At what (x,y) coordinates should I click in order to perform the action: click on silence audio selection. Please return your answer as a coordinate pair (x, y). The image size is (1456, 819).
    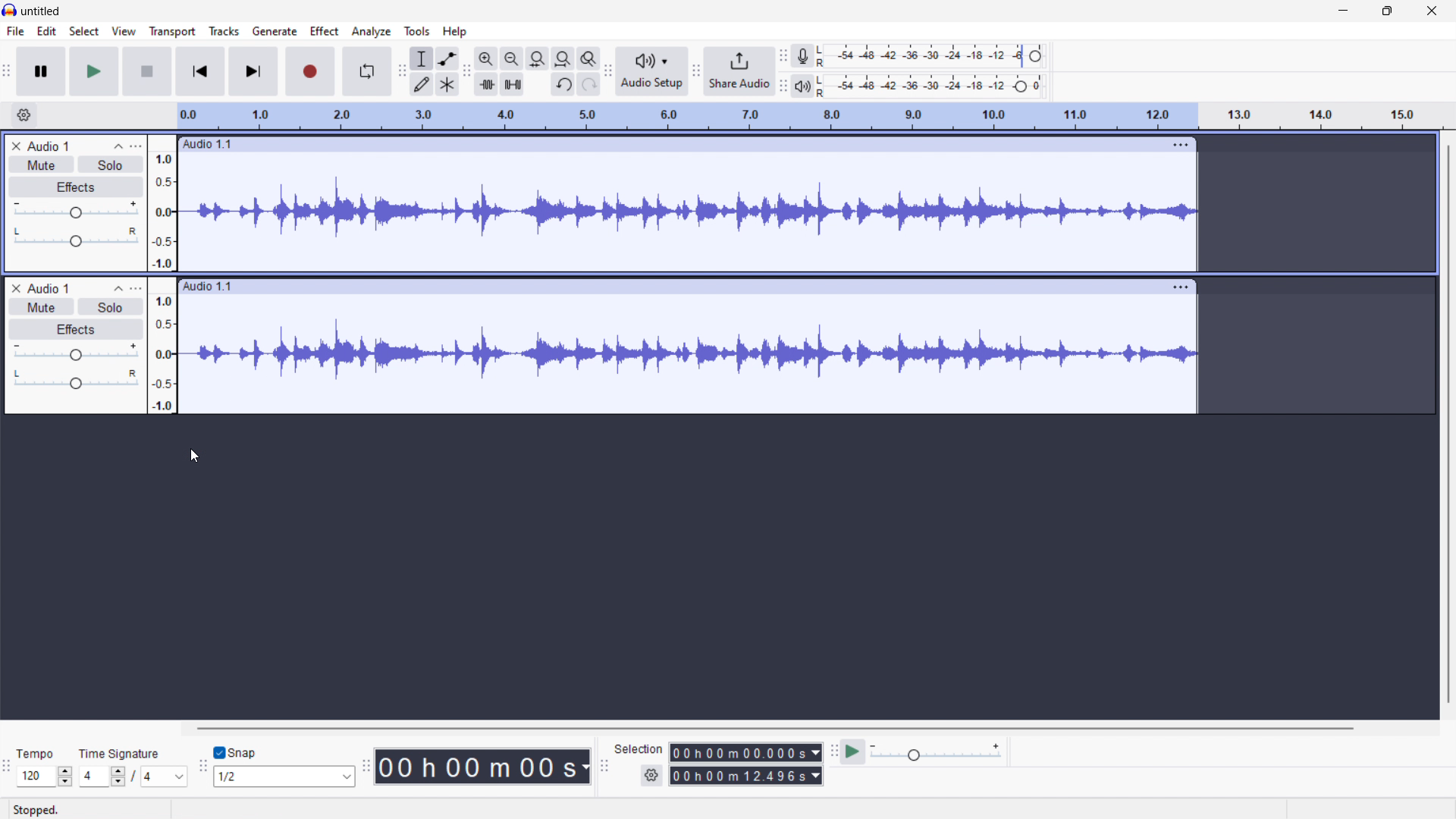
    Looking at the image, I should click on (513, 85).